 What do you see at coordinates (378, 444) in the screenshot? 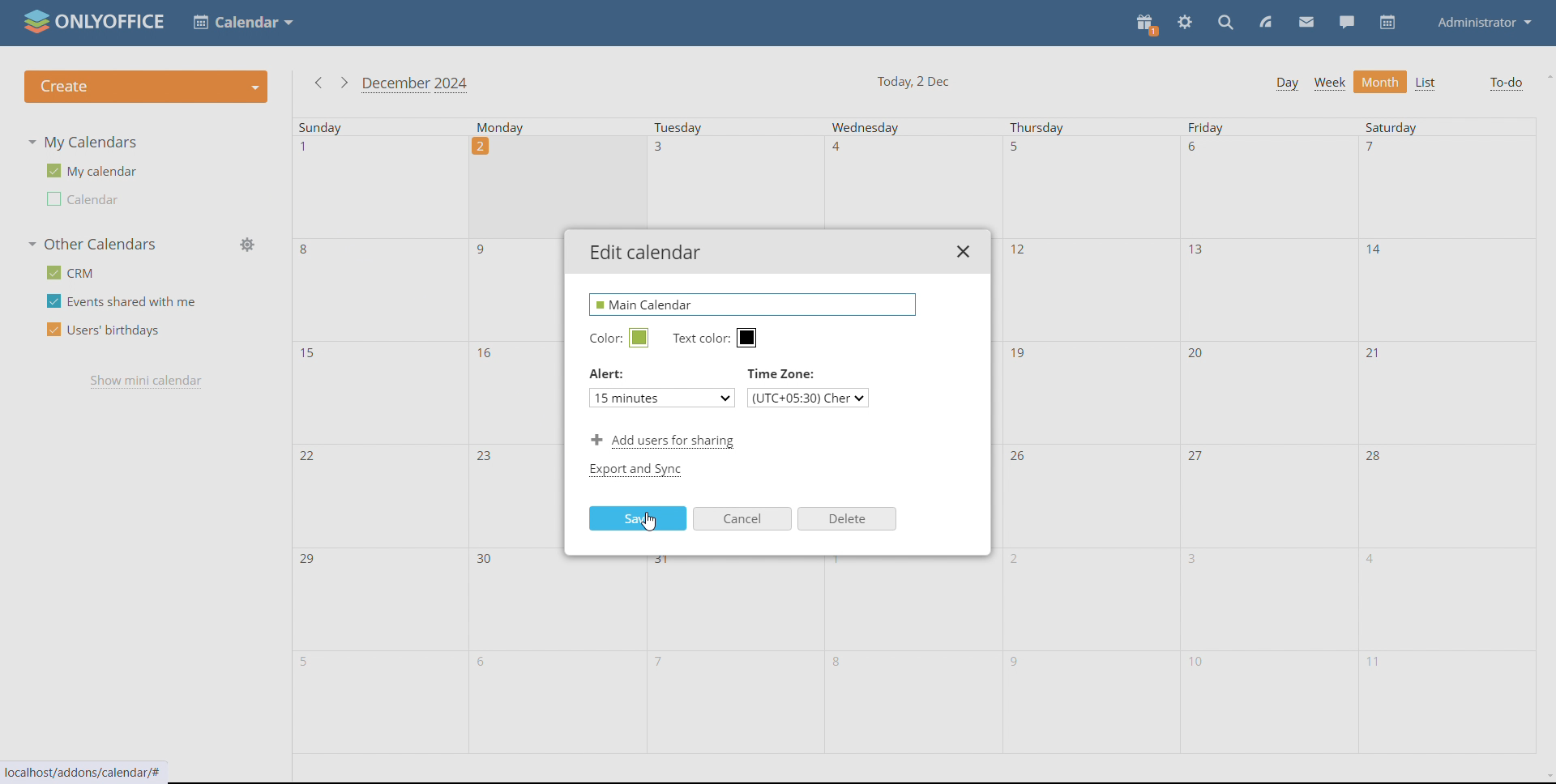
I see `sunday` at bounding box center [378, 444].